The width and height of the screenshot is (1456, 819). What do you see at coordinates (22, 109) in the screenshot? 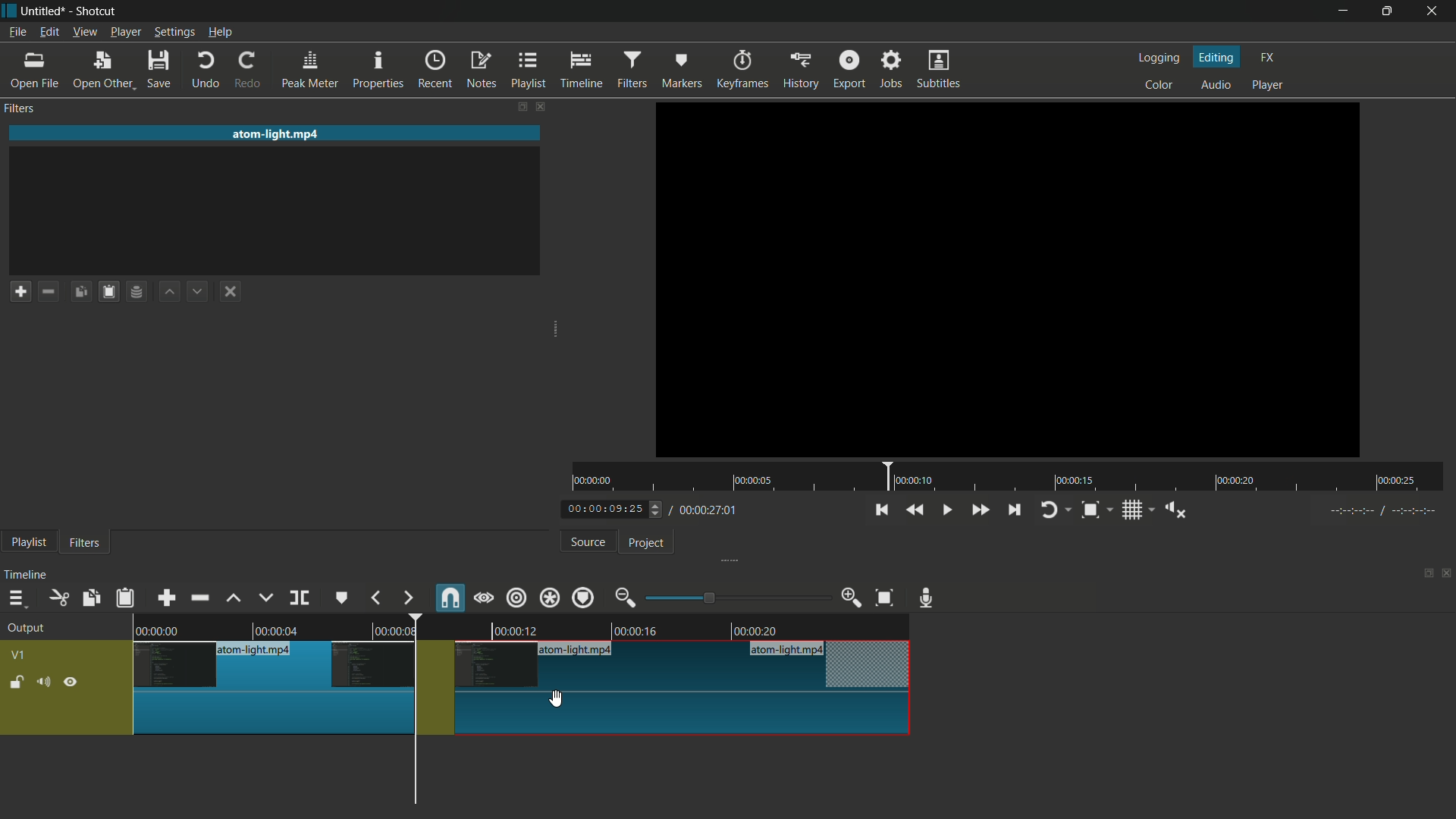
I see `filters` at bounding box center [22, 109].